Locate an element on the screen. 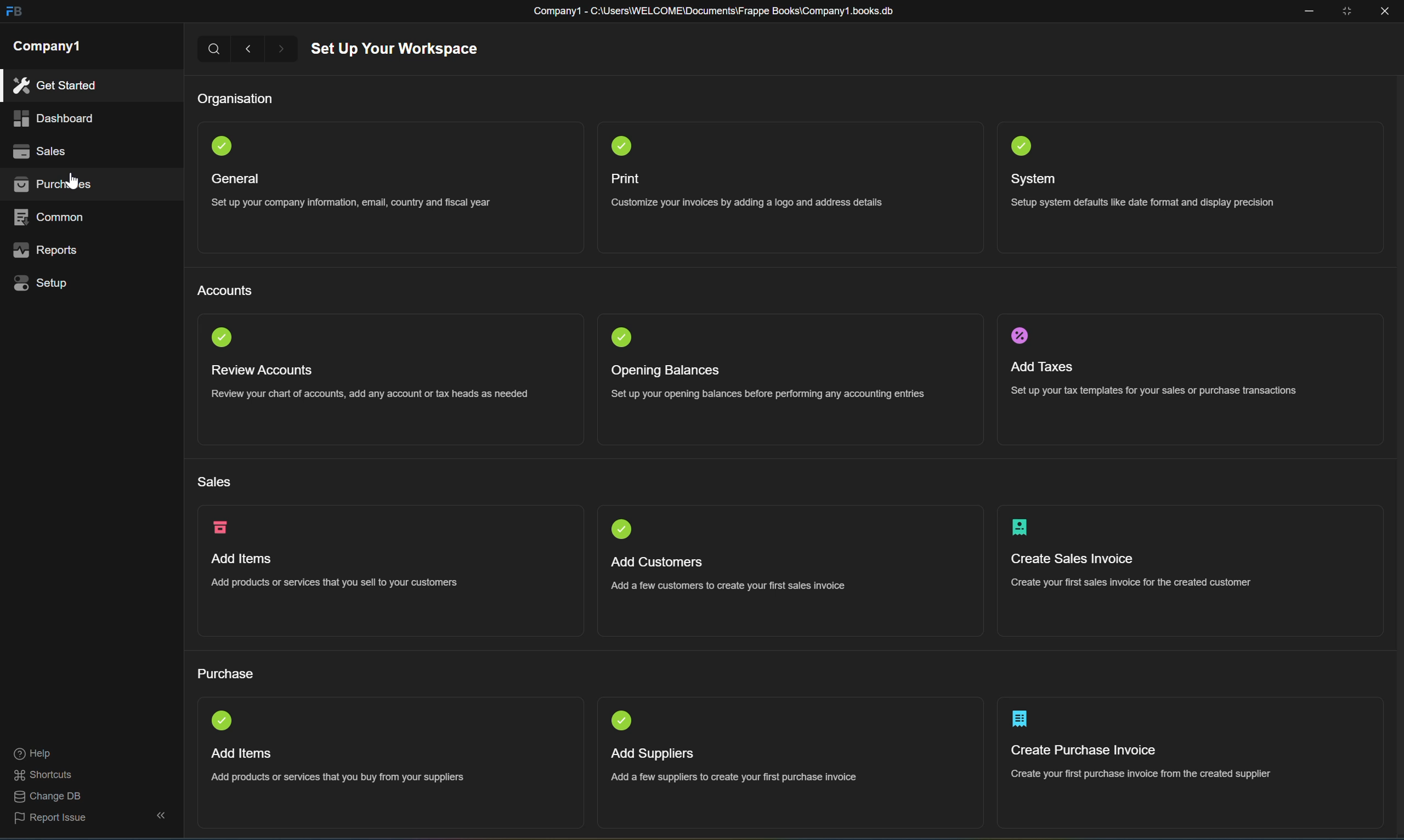 The image size is (1404, 840). help is located at coordinates (32, 755).